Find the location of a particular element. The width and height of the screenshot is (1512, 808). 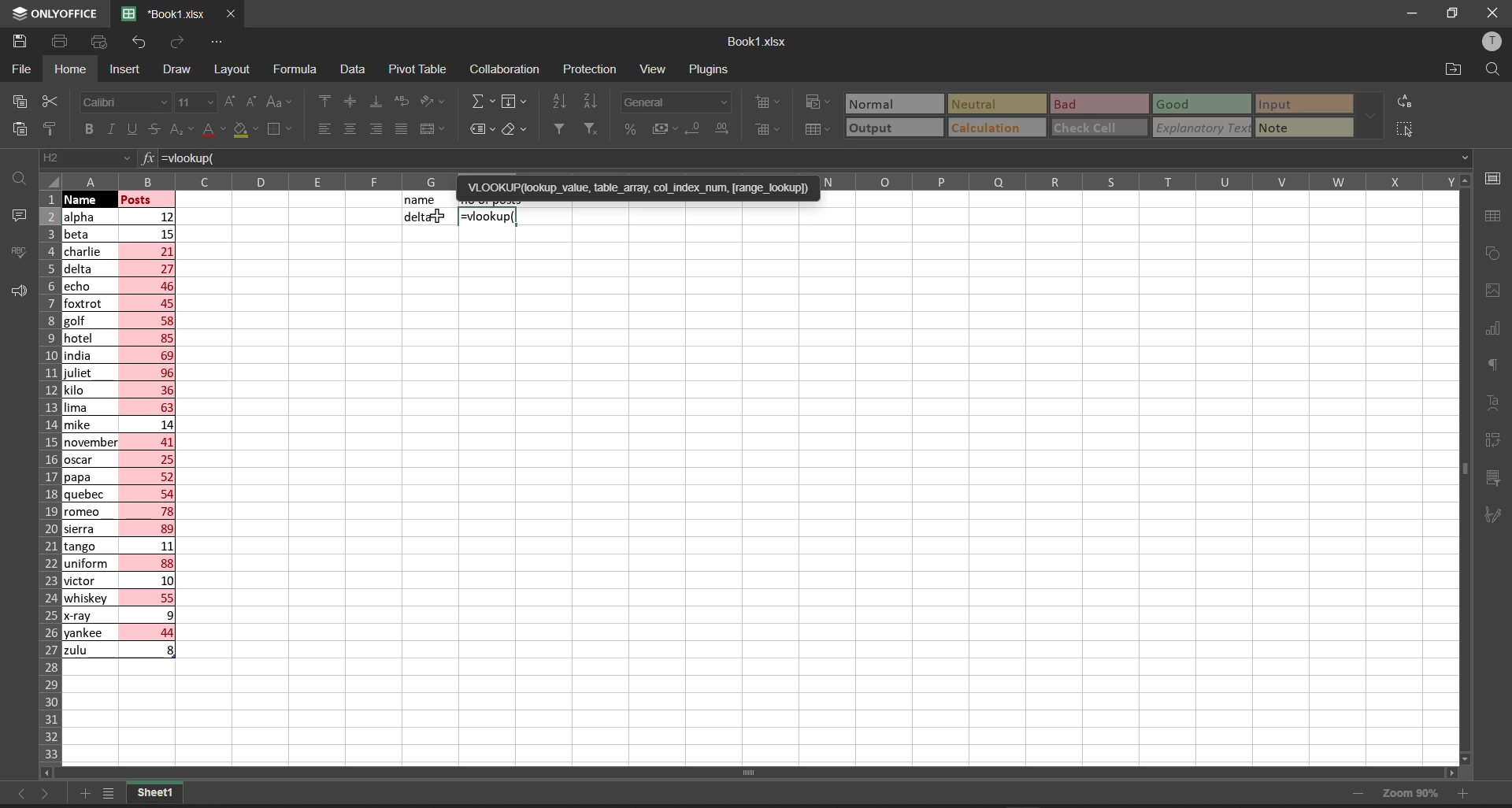

change case is located at coordinates (281, 102).